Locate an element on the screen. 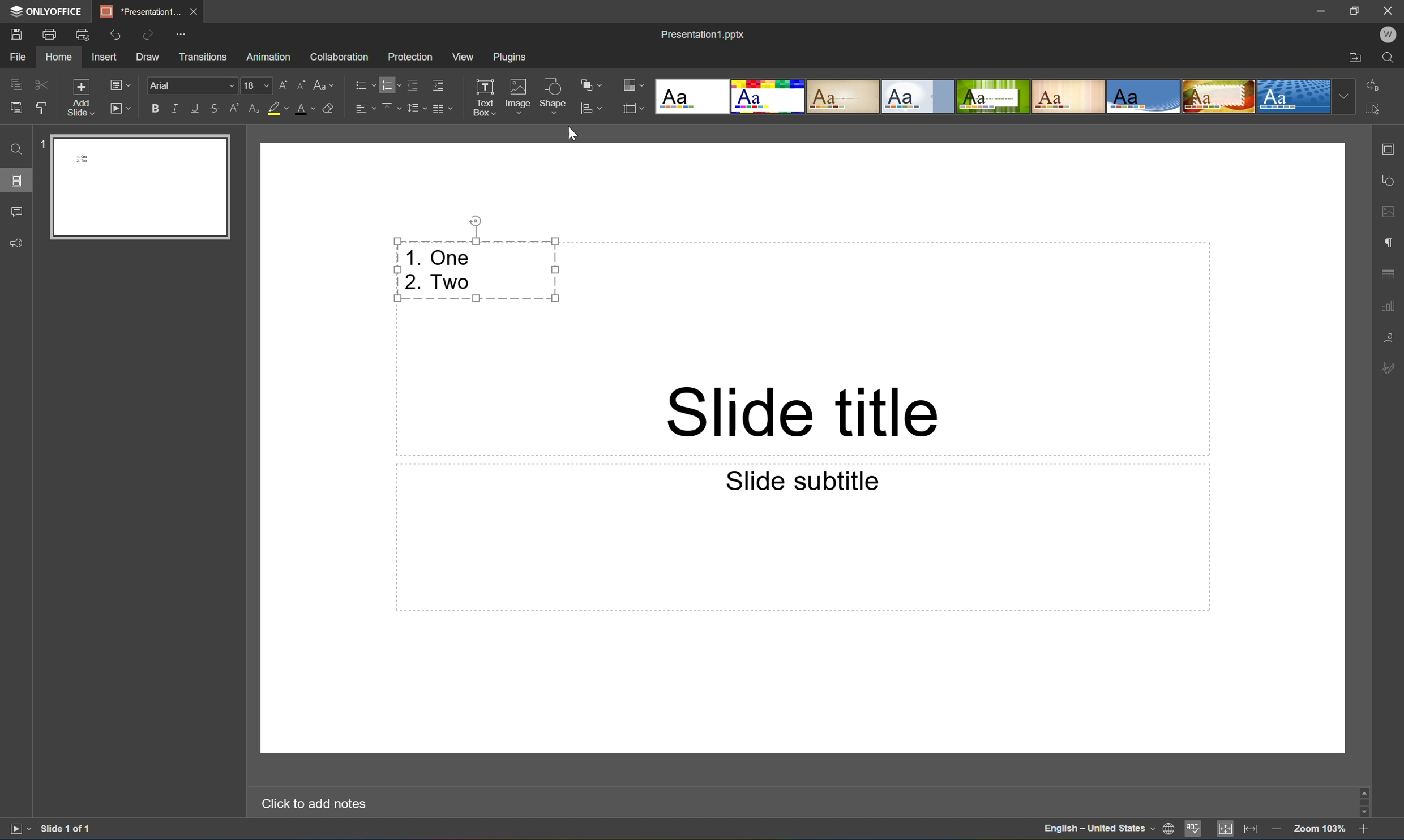  Change slide layout is located at coordinates (118, 84).